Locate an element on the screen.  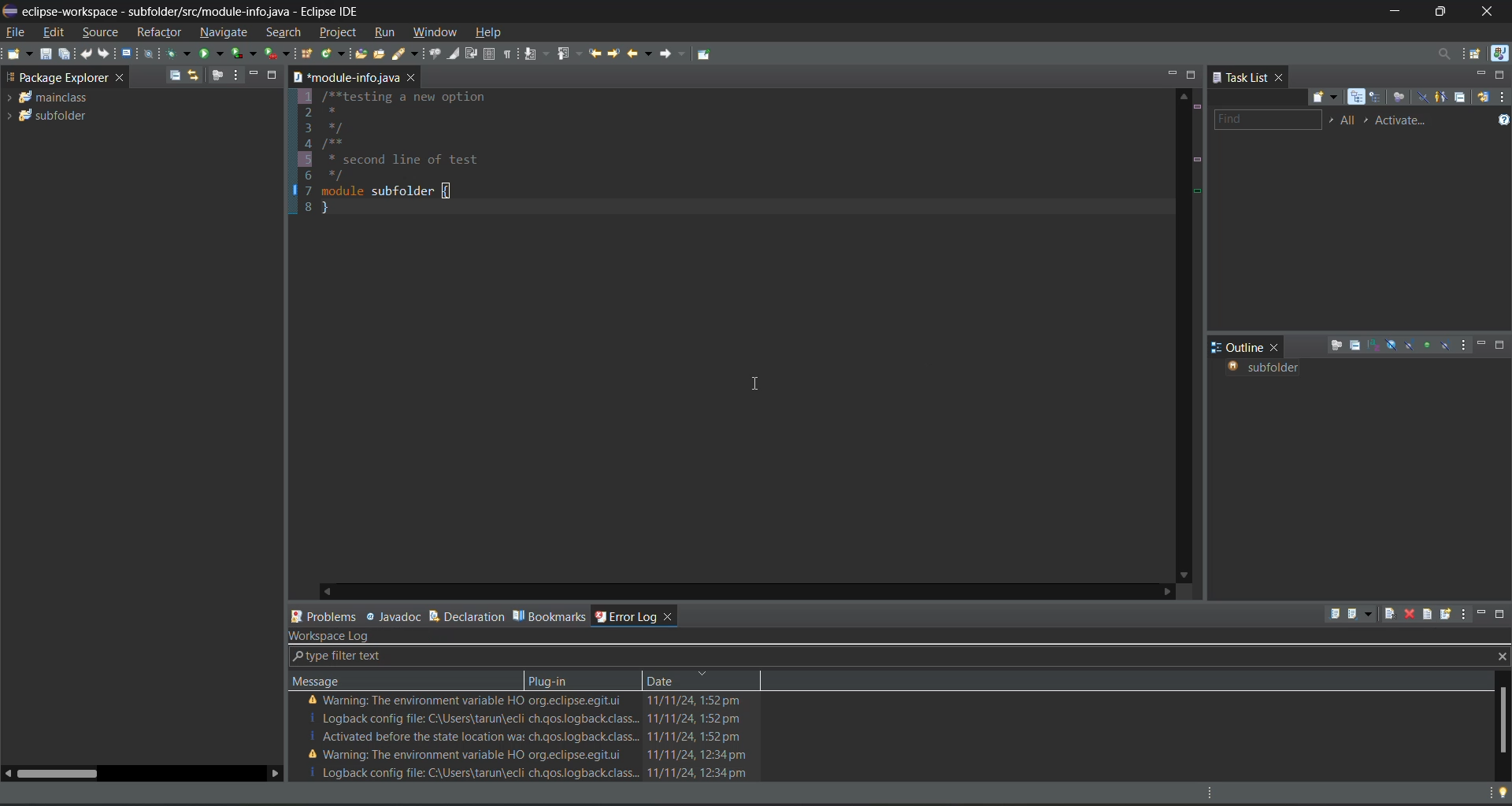
skip all breakpoints is located at coordinates (150, 54).